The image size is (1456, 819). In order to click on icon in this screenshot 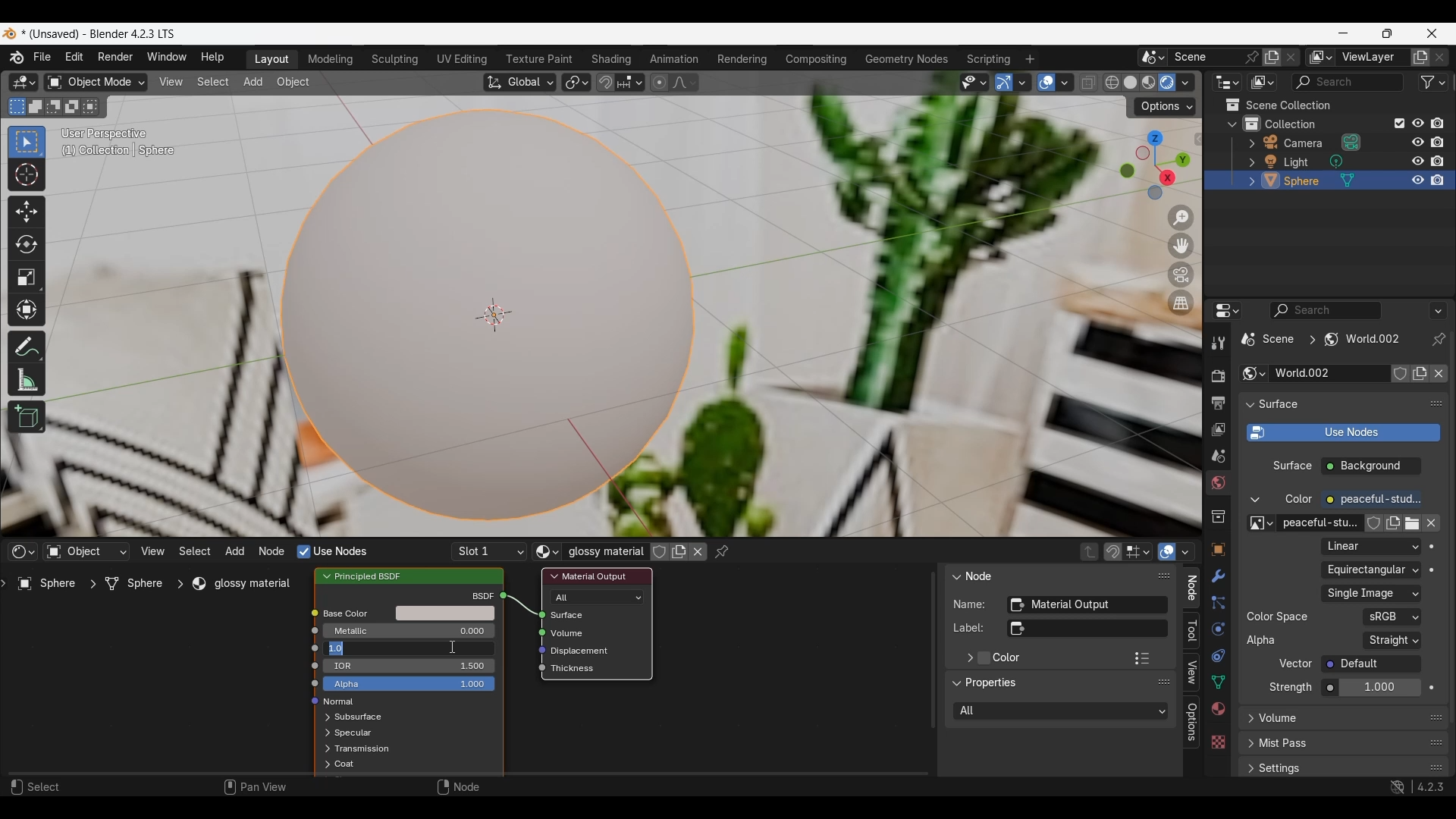, I will do `click(536, 650)`.